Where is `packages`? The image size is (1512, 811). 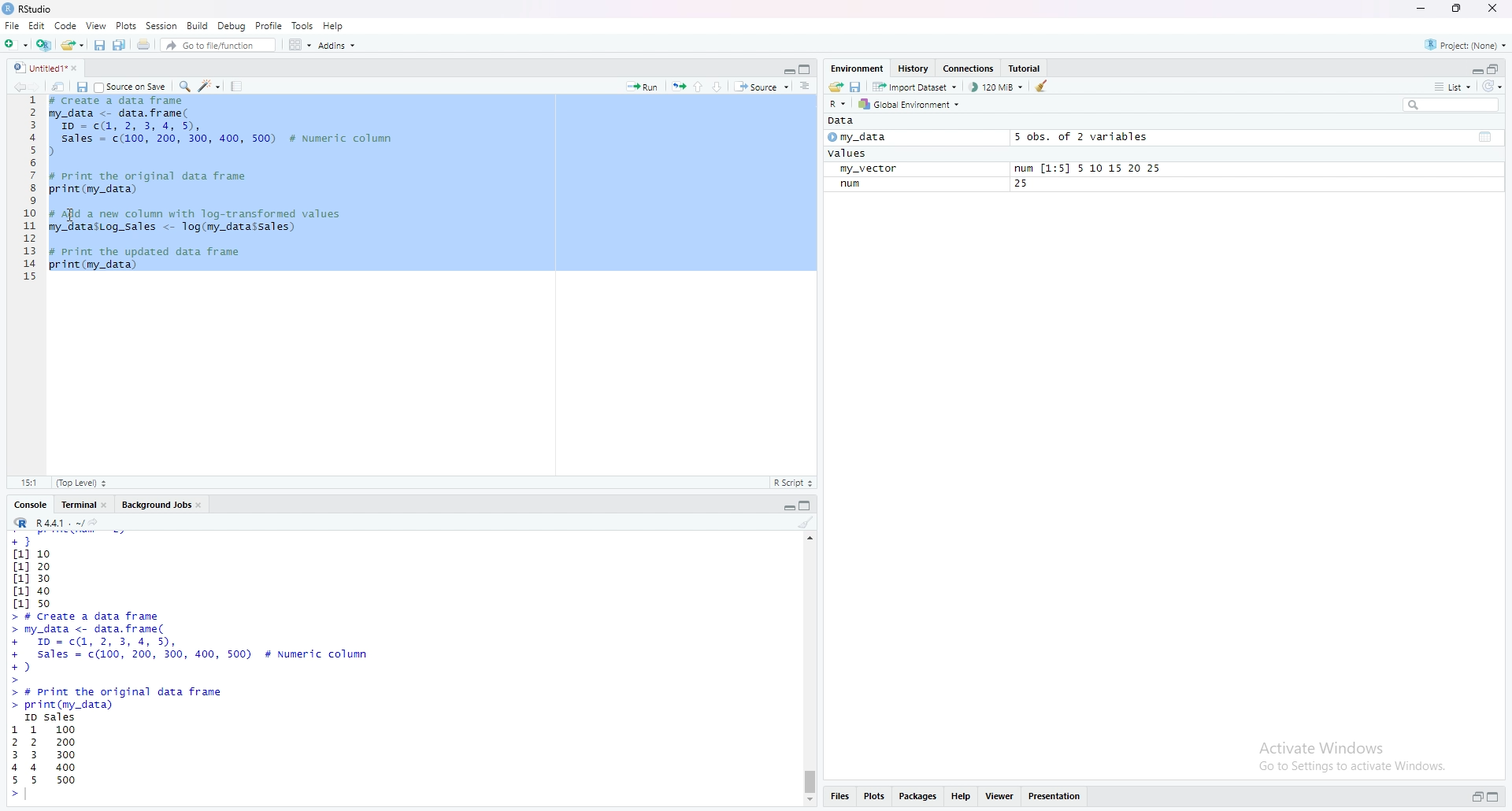
packages is located at coordinates (916, 799).